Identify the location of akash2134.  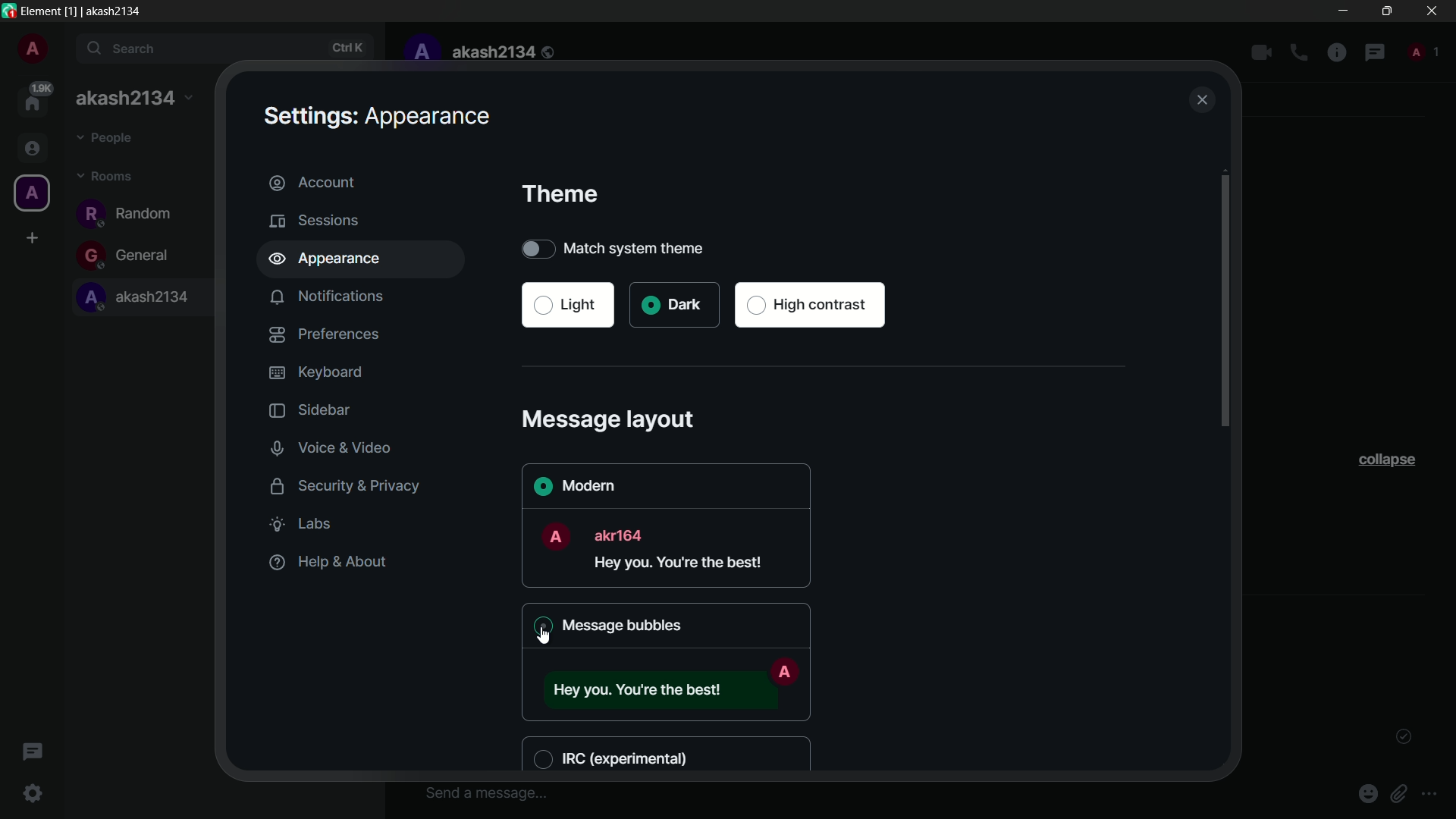
(504, 52).